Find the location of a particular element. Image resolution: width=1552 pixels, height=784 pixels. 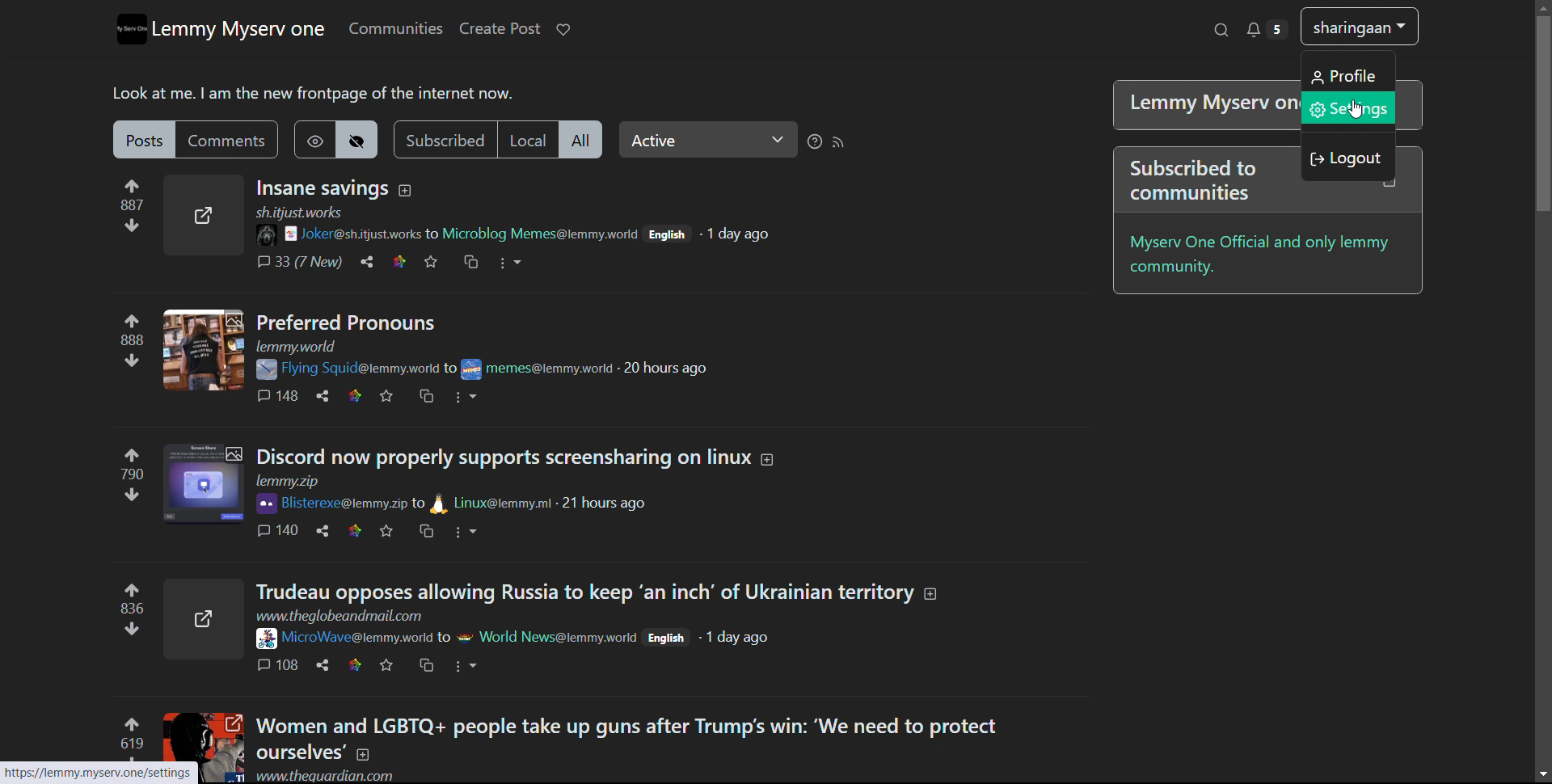

shringaan is located at coordinates (1360, 28).